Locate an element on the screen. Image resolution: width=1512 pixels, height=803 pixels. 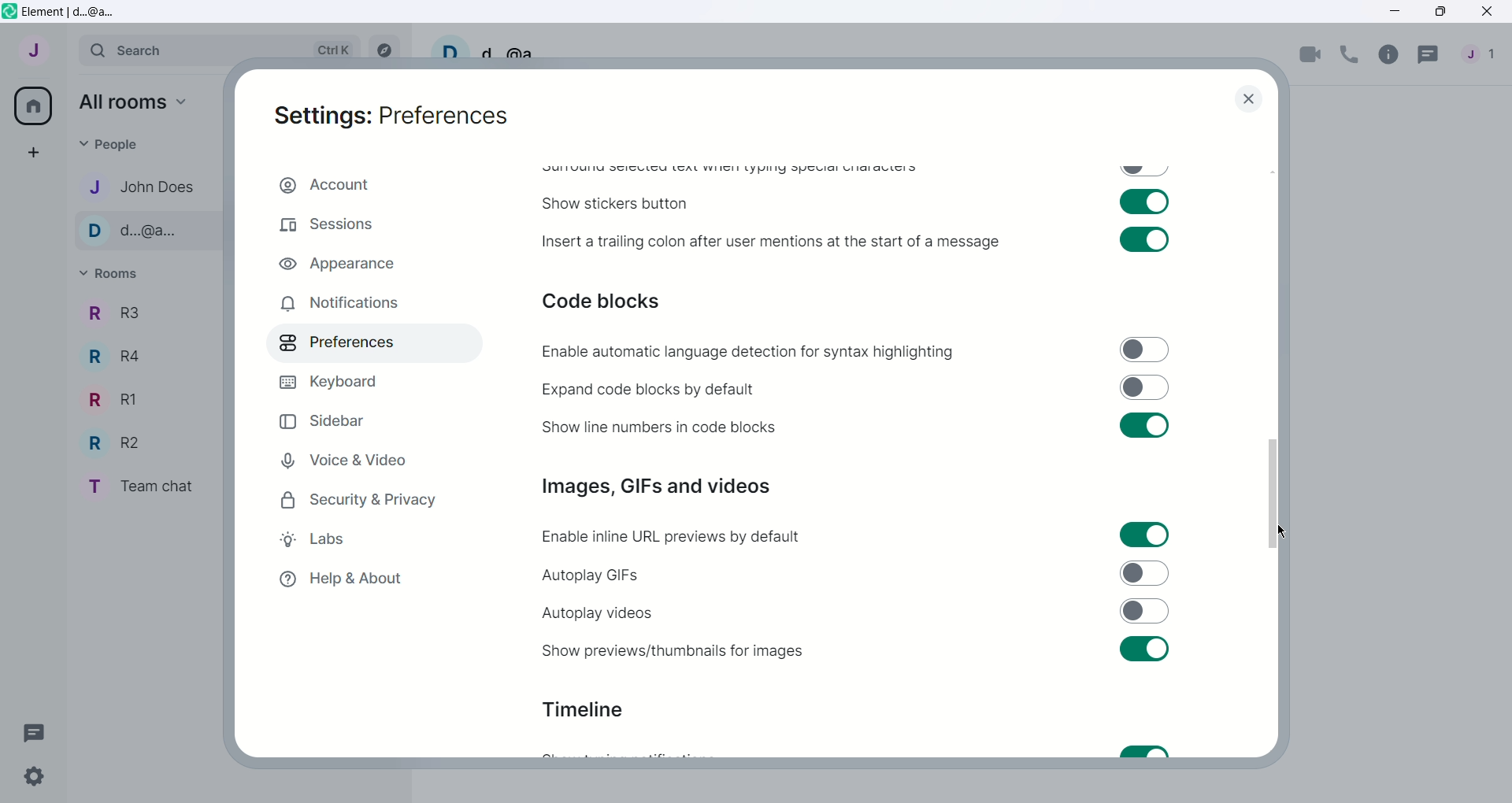
Toggle switch on is located at coordinates (1145, 751).